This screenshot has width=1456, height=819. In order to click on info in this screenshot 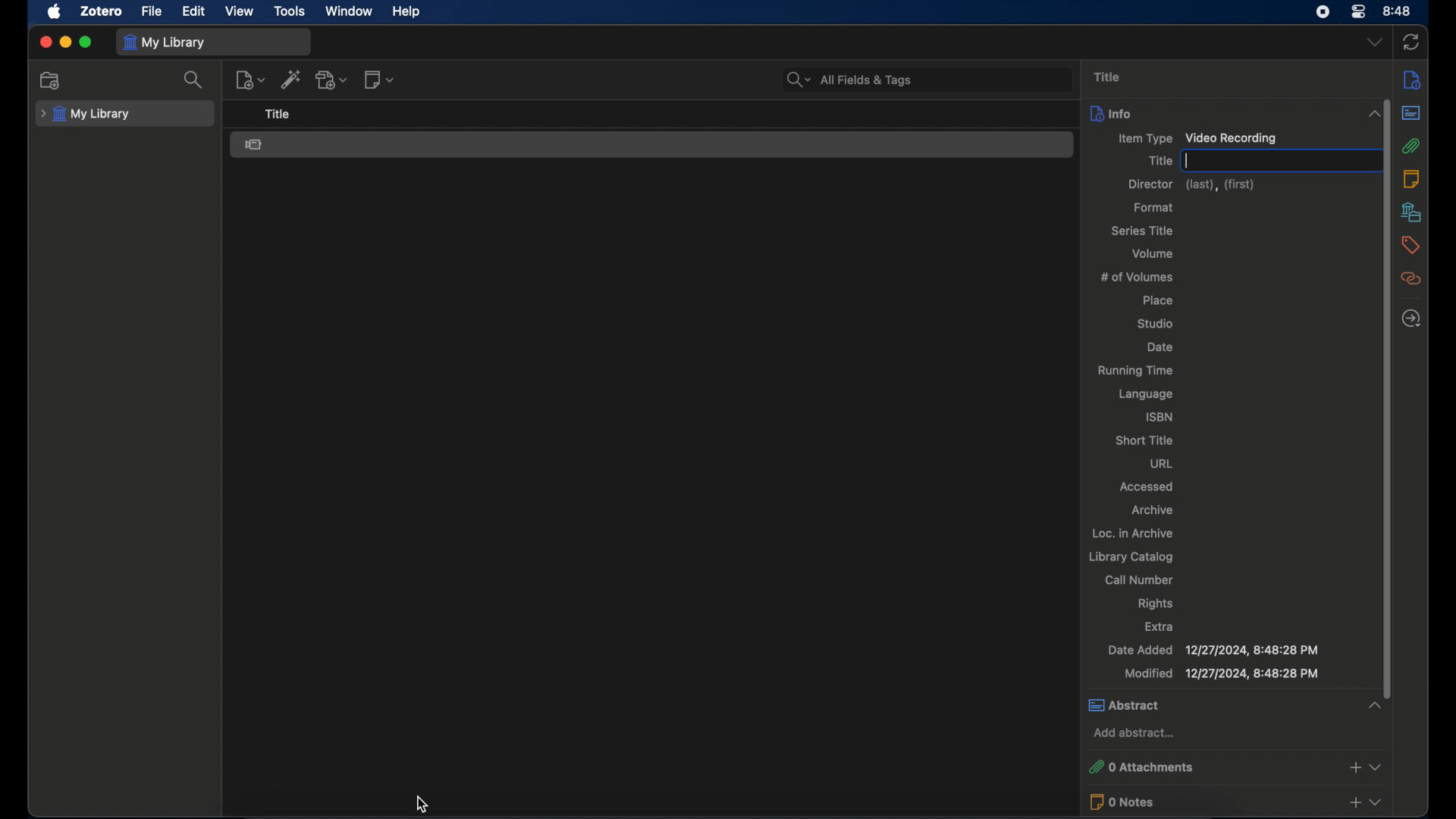, I will do `click(1237, 113)`.